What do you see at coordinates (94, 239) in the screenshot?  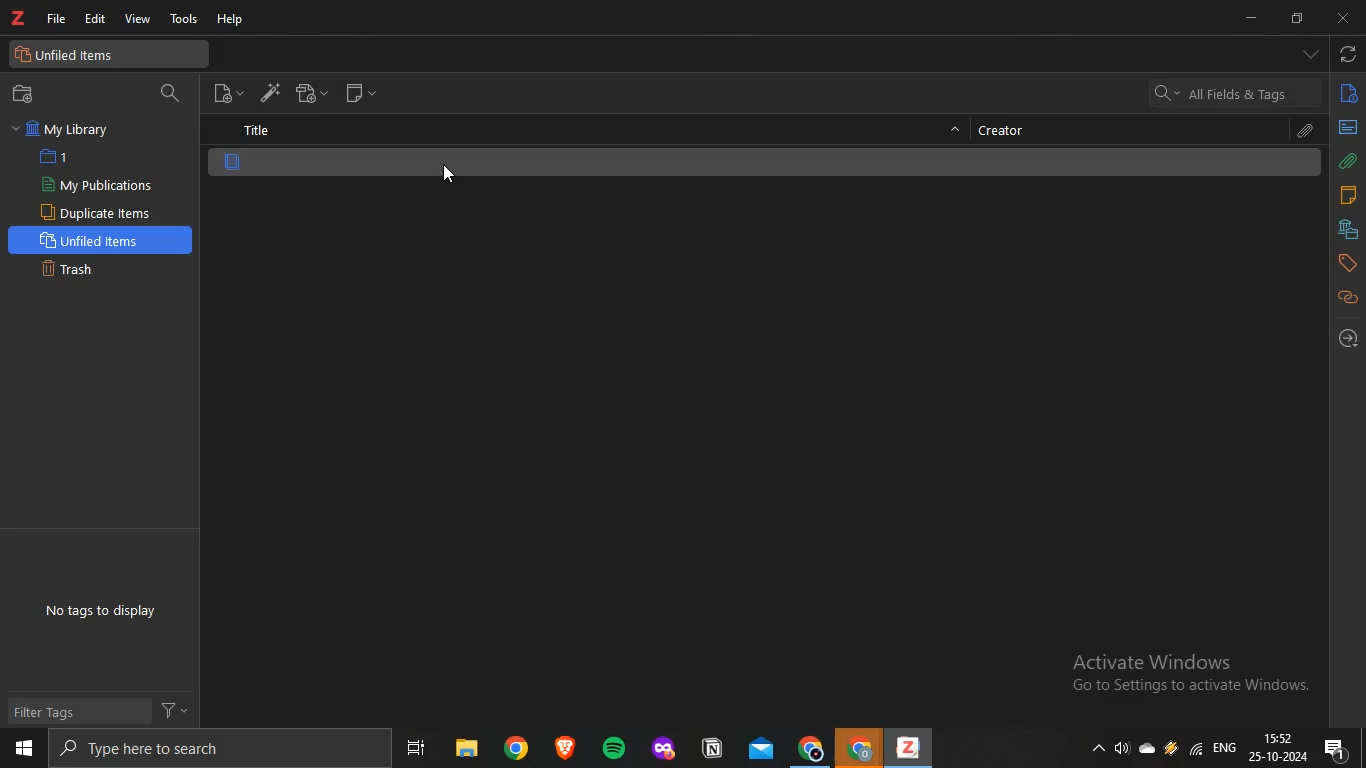 I see `Unfiled Items` at bounding box center [94, 239].